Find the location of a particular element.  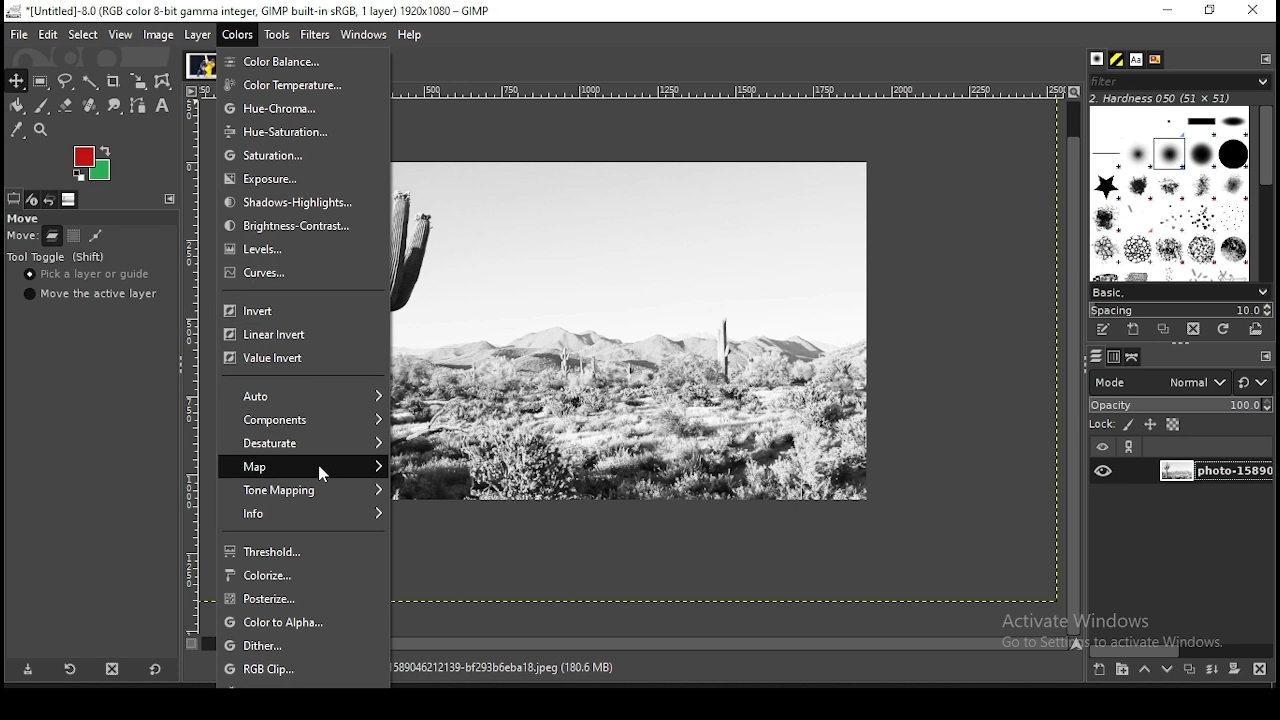

zoom tool is located at coordinates (40, 130).